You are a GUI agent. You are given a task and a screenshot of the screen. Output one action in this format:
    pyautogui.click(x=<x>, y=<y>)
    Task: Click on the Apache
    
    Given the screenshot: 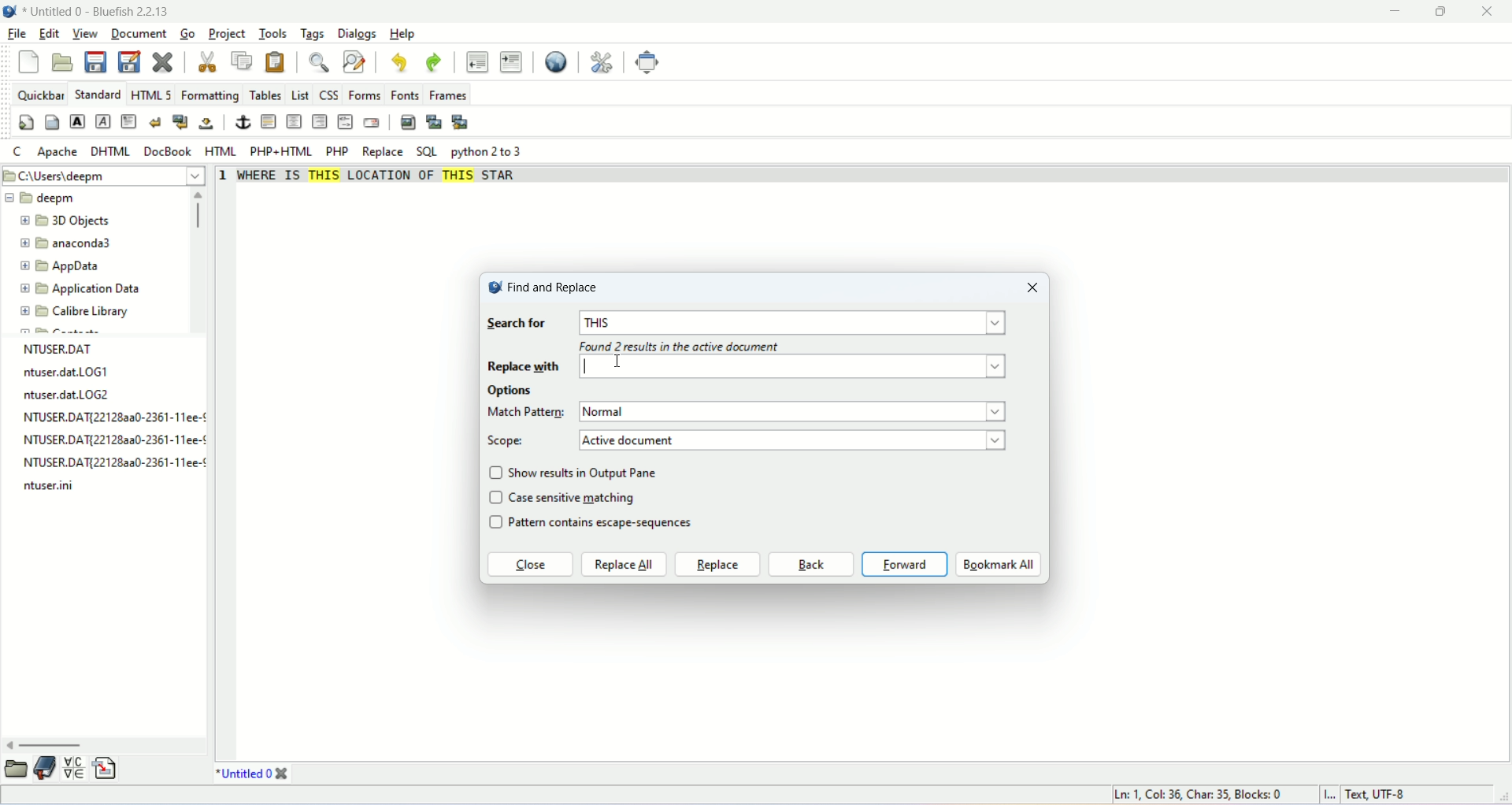 What is the action you would take?
    pyautogui.click(x=55, y=152)
    